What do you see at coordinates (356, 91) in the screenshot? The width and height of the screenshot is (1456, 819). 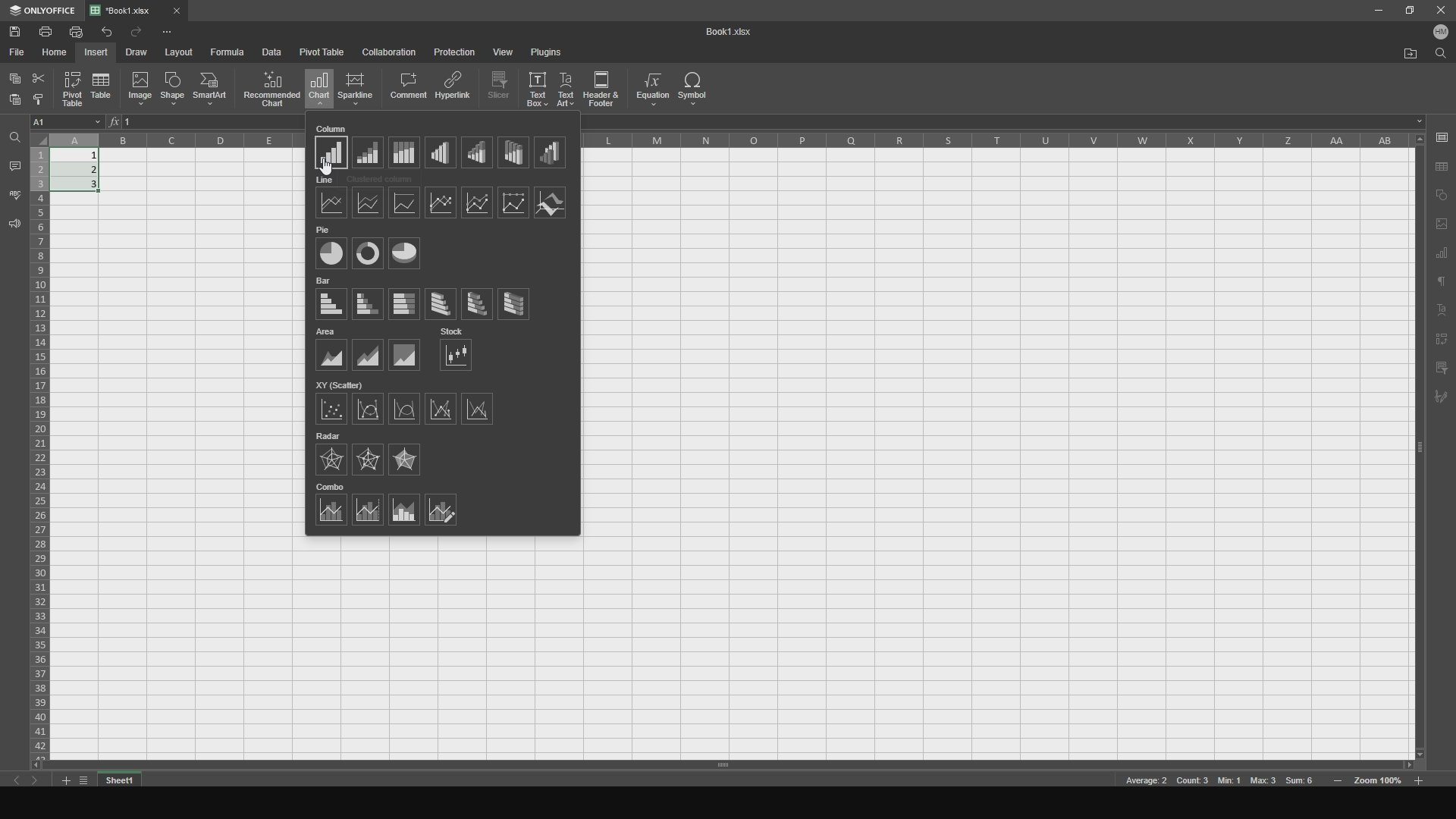 I see `sparkline` at bounding box center [356, 91].